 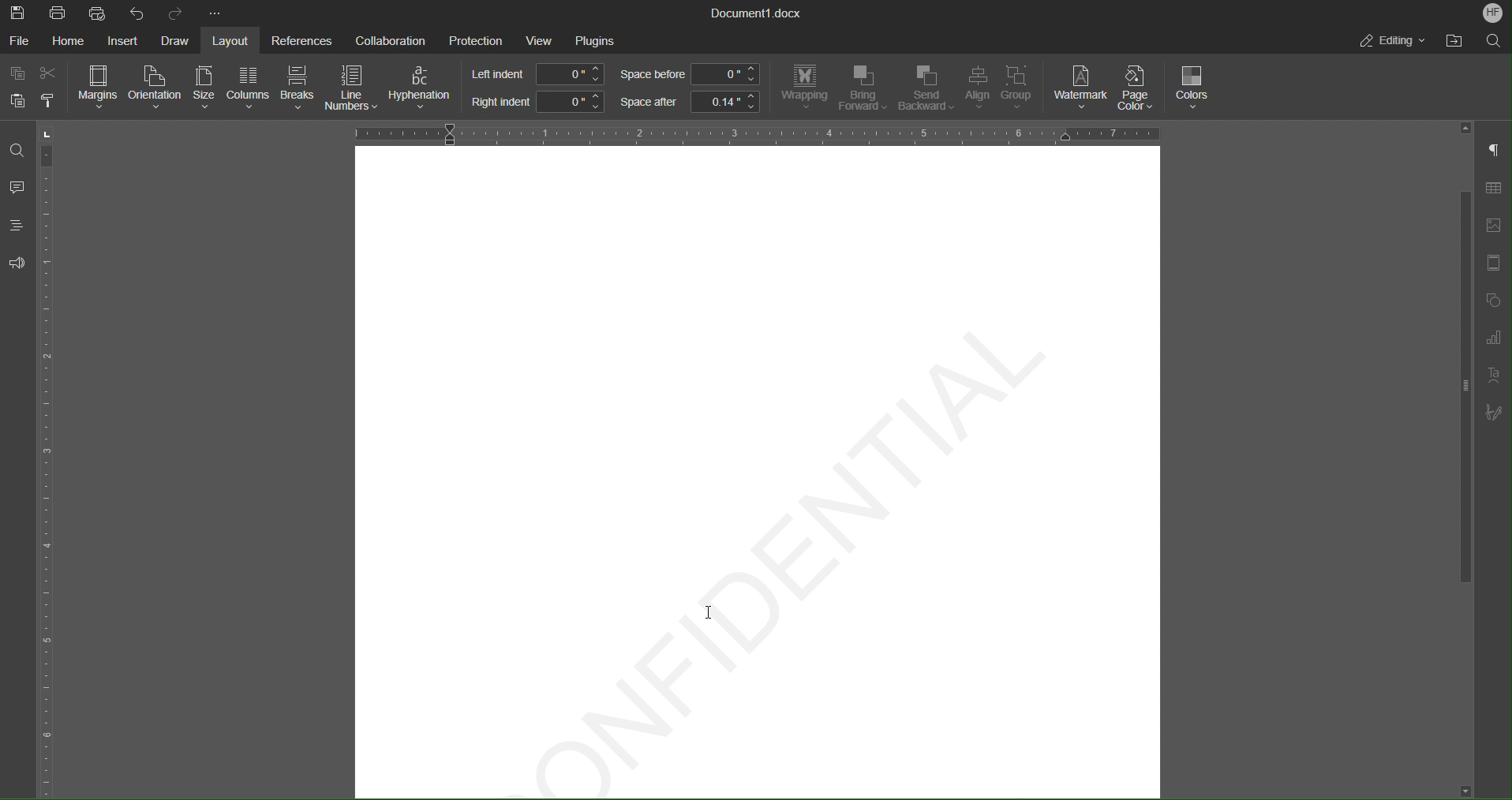 I want to click on Save, so click(x=19, y=13).